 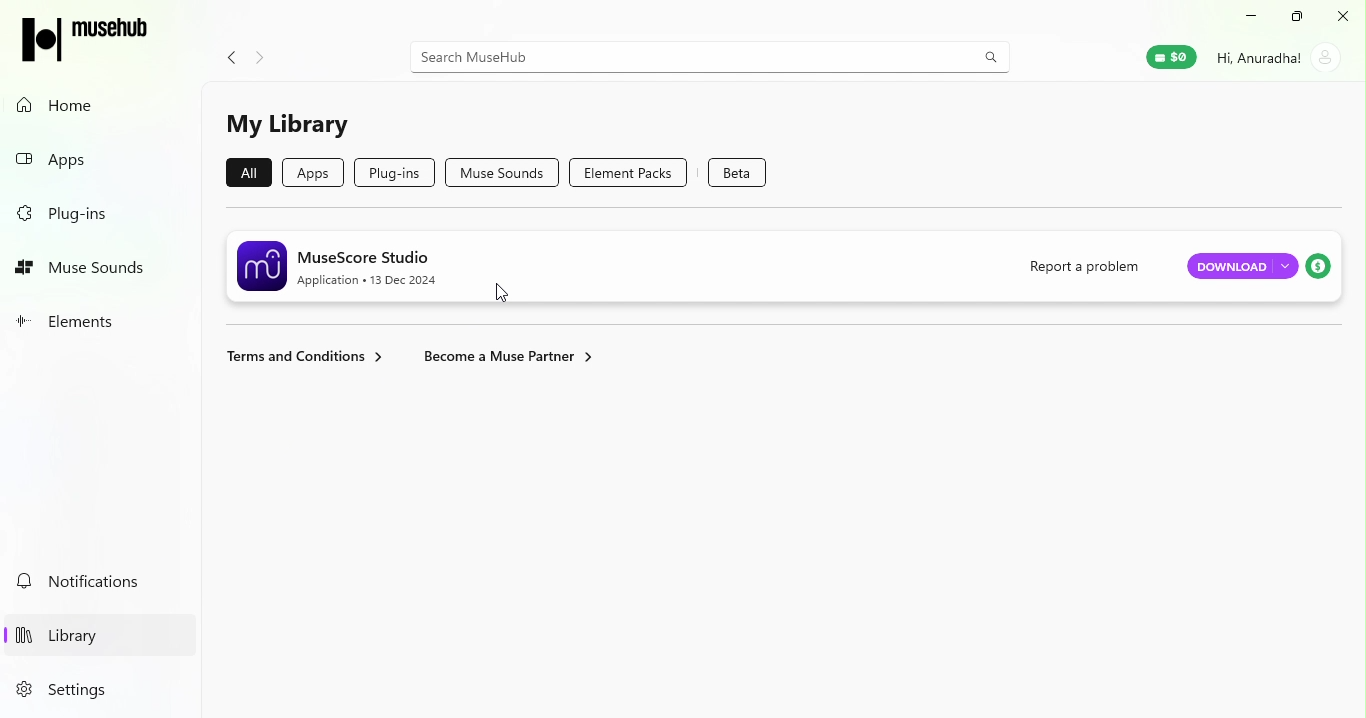 What do you see at coordinates (1281, 59) in the screenshot?
I see `Account` at bounding box center [1281, 59].